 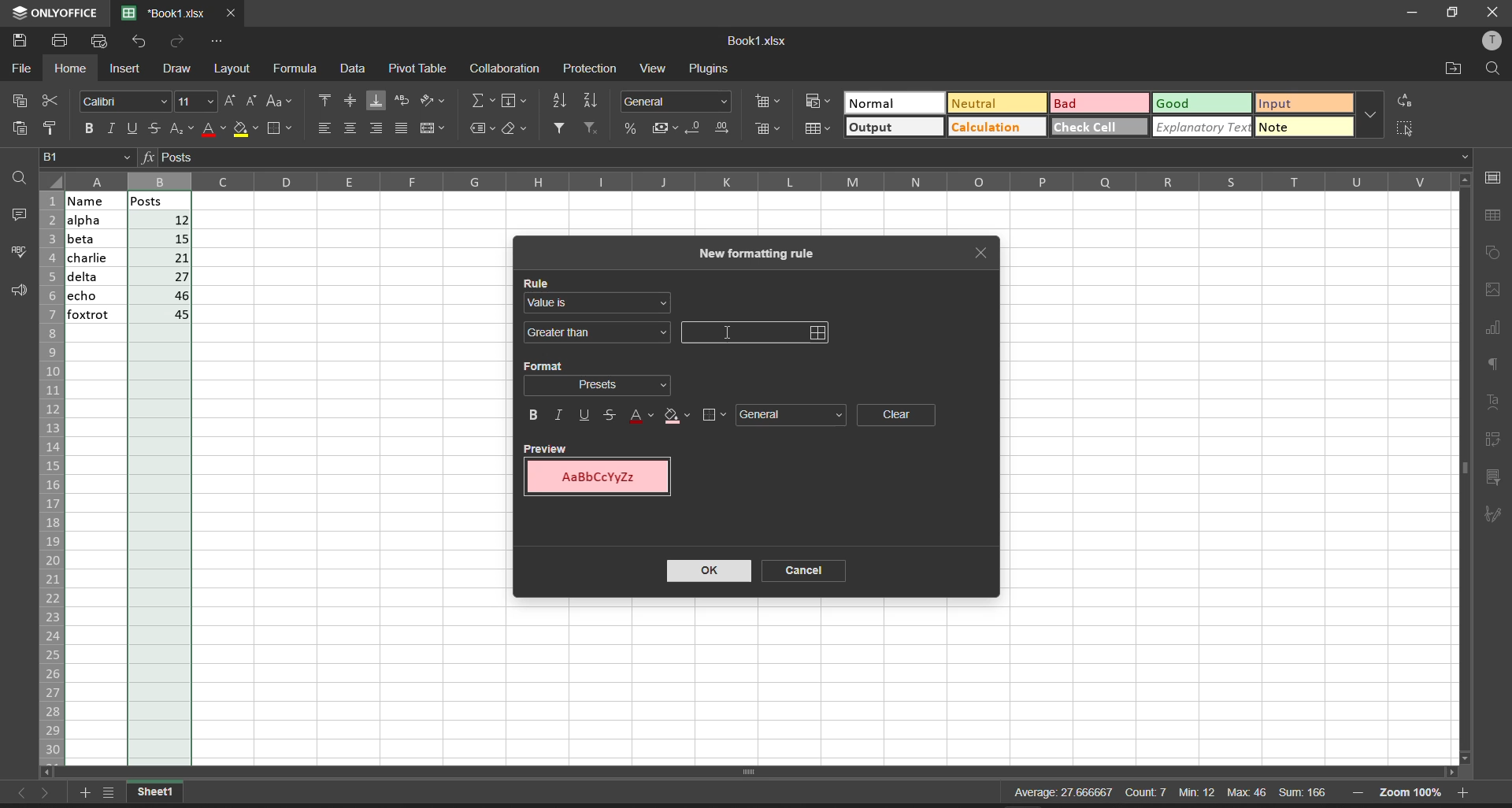 What do you see at coordinates (821, 130) in the screenshot?
I see `format as table` at bounding box center [821, 130].